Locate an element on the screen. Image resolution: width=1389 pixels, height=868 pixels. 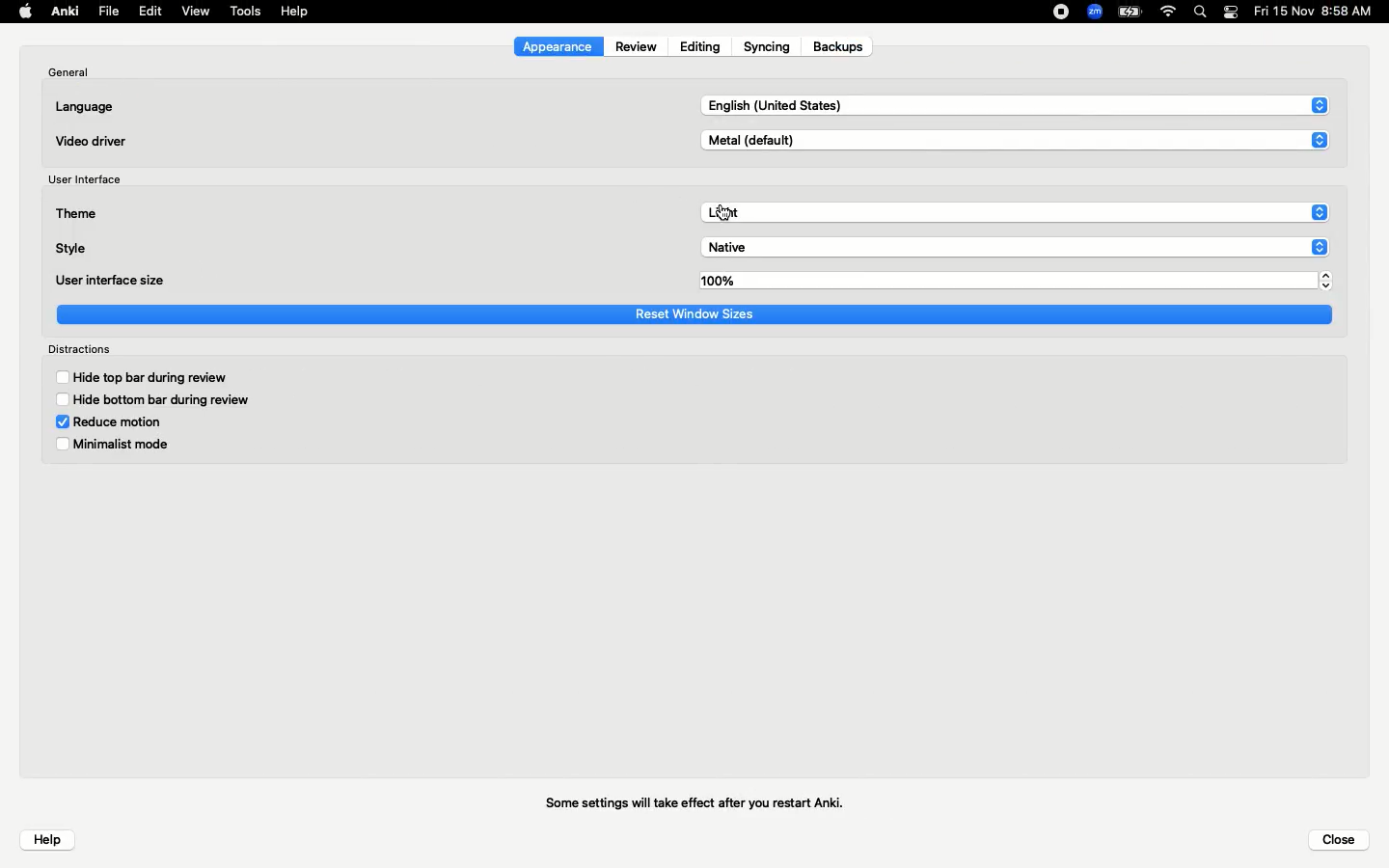
Reduce motion is located at coordinates (109, 420).